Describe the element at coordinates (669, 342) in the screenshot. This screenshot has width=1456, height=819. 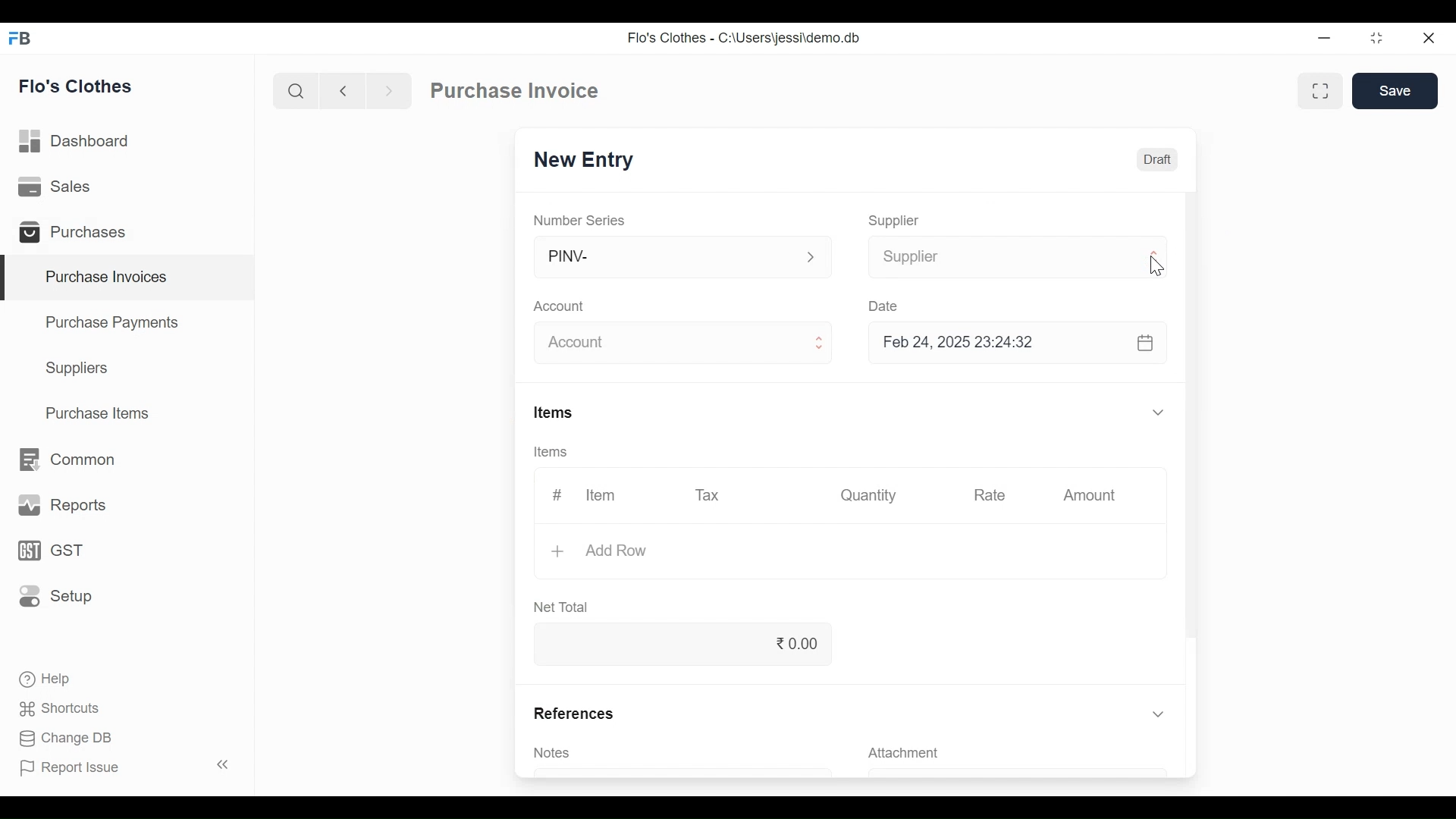
I see `Account` at that location.